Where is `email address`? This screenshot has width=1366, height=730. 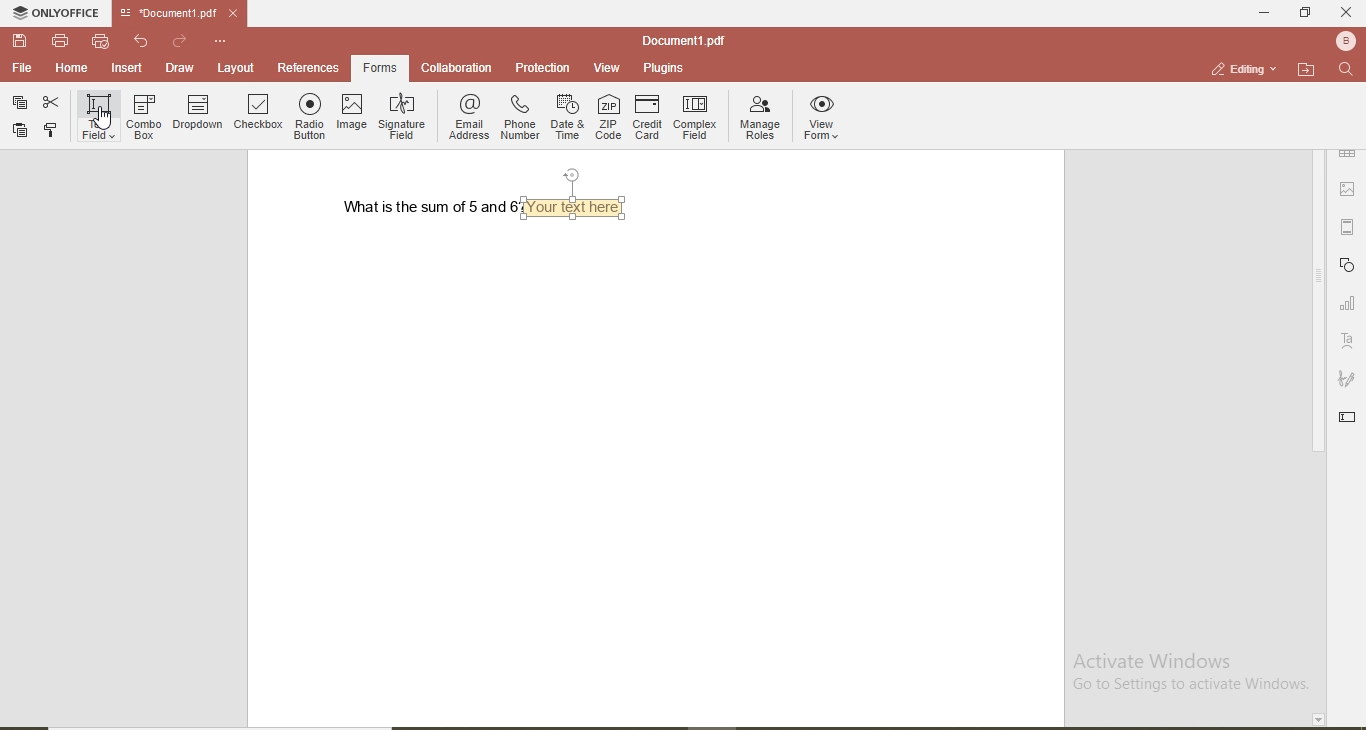 email address is located at coordinates (463, 118).